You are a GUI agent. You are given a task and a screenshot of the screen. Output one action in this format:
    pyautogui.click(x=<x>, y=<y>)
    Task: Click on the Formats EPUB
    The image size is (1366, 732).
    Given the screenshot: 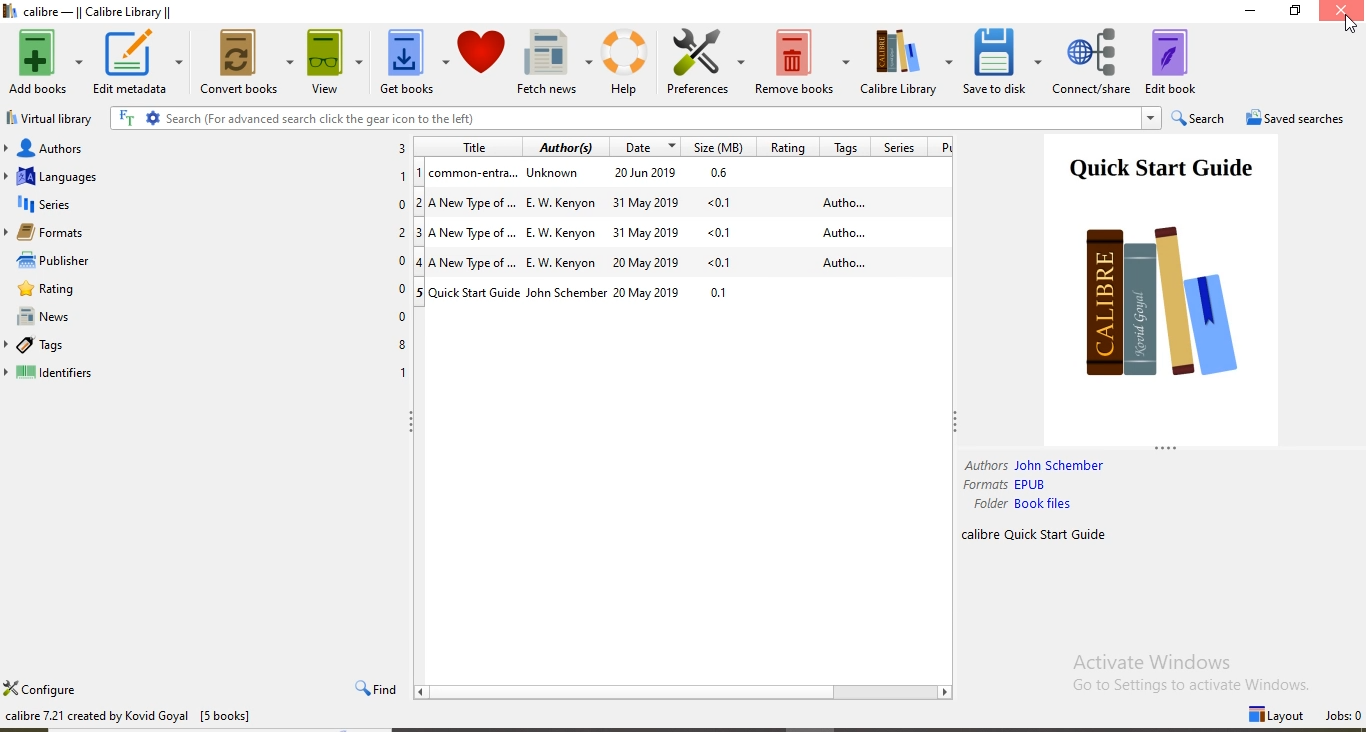 What is the action you would take?
    pyautogui.click(x=1007, y=484)
    